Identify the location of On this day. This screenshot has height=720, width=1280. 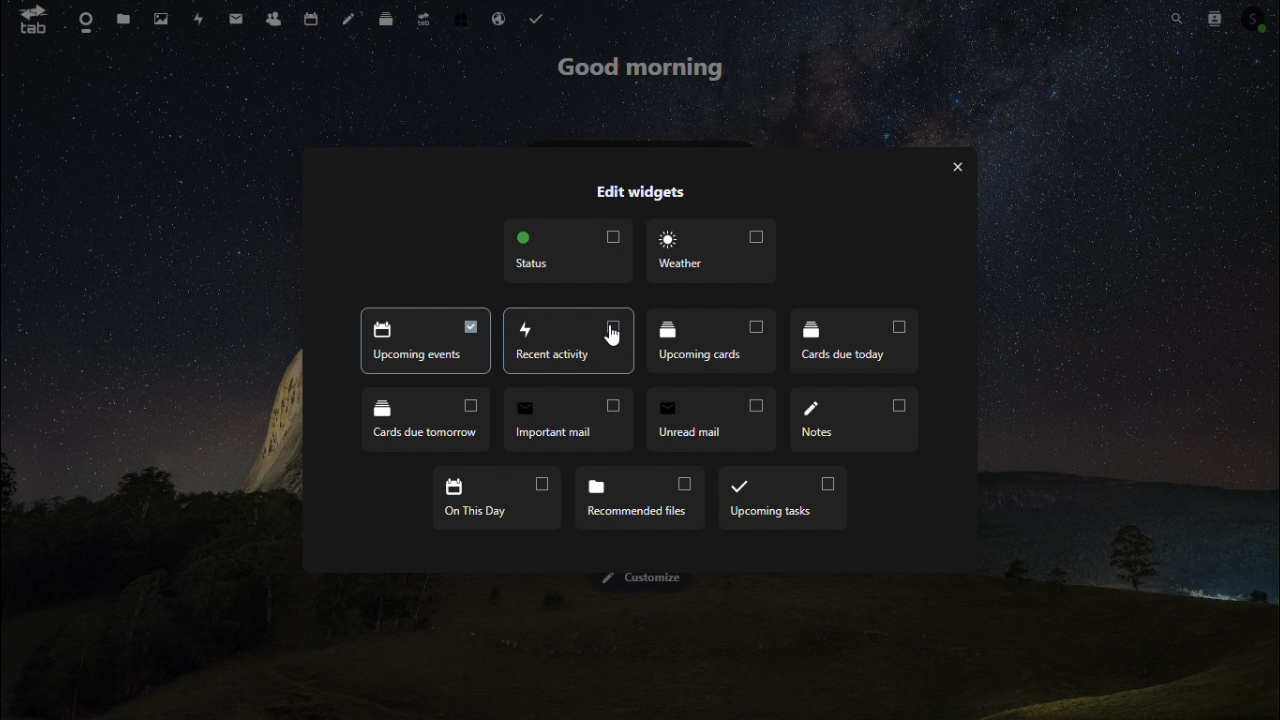
(494, 496).